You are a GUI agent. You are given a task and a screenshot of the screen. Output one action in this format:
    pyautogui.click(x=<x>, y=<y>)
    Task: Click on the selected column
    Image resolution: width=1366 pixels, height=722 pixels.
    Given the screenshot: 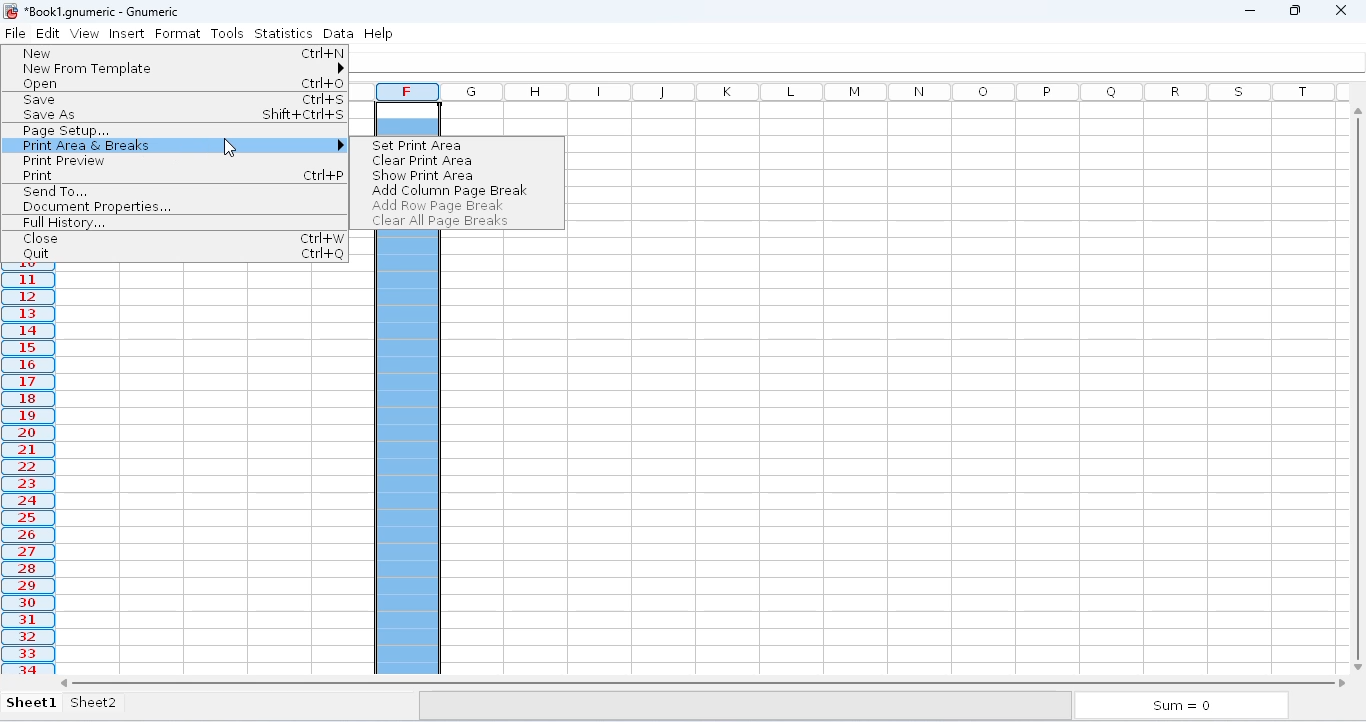 What is the action you would take?
    pyautogui.click(x=30, y=474)
    